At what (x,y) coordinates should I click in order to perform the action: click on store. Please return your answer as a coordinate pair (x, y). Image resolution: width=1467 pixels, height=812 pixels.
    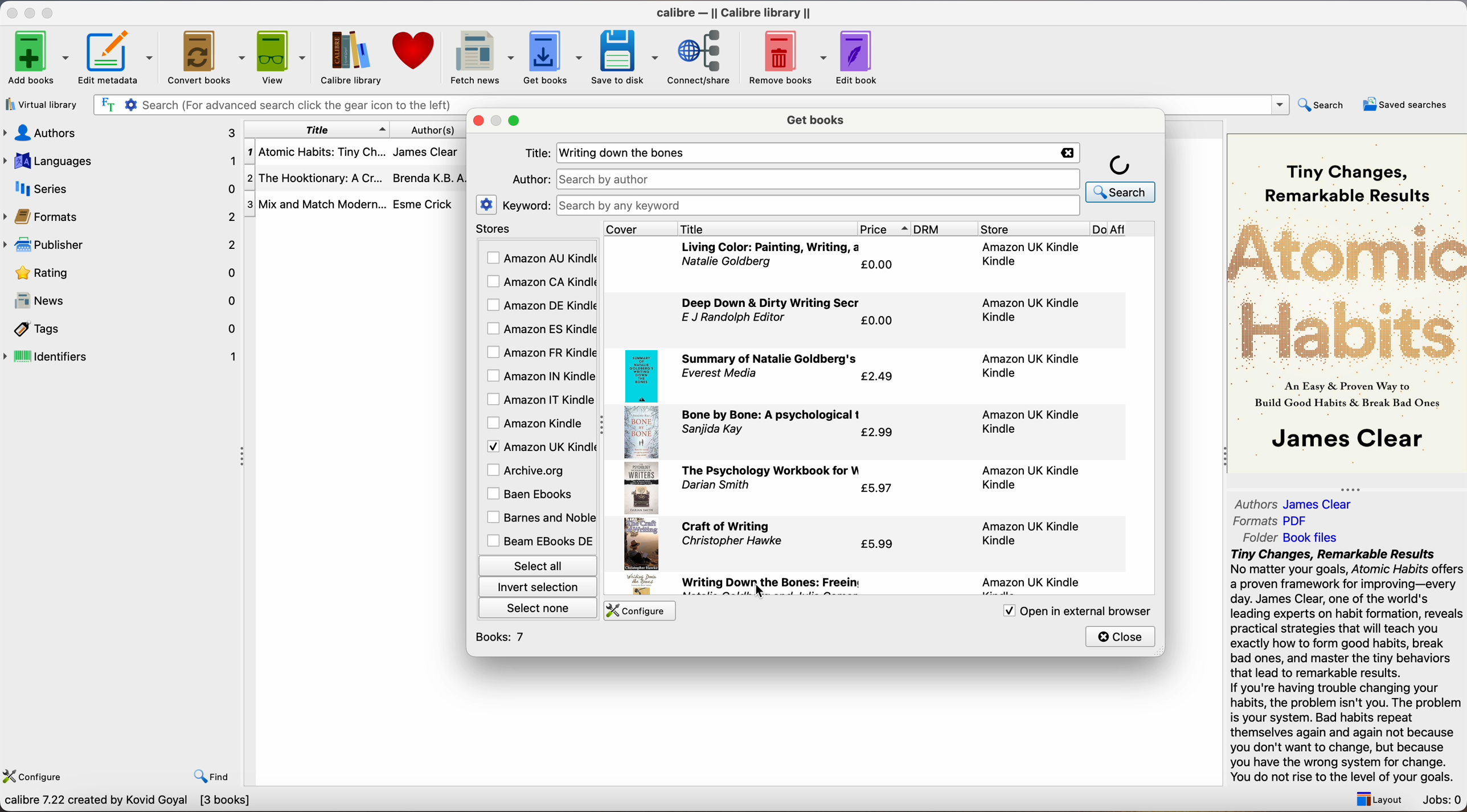
    Looking at the image, I should click on (1032, 229).